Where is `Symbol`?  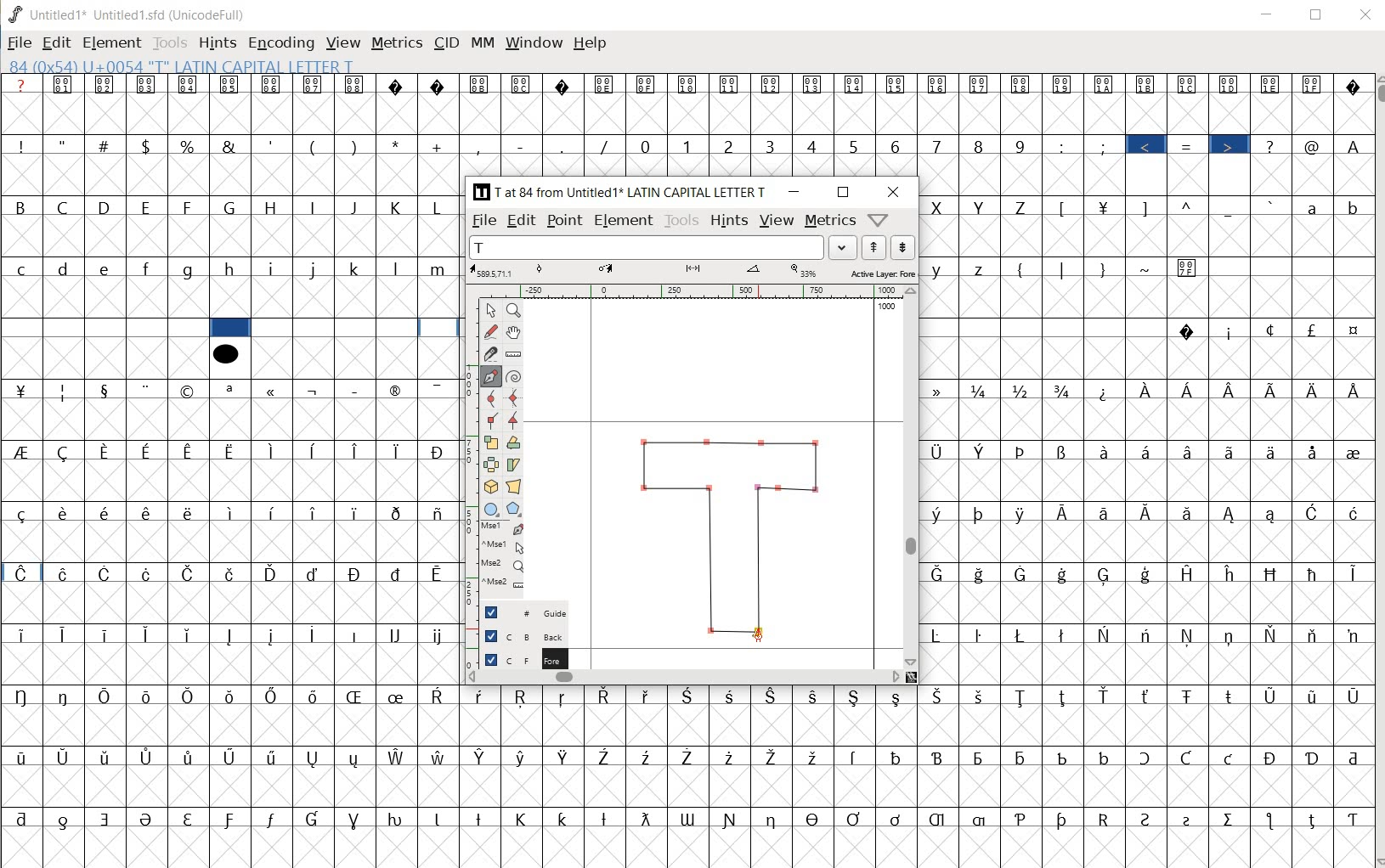
Symbol is located at coordinates (22, 636).